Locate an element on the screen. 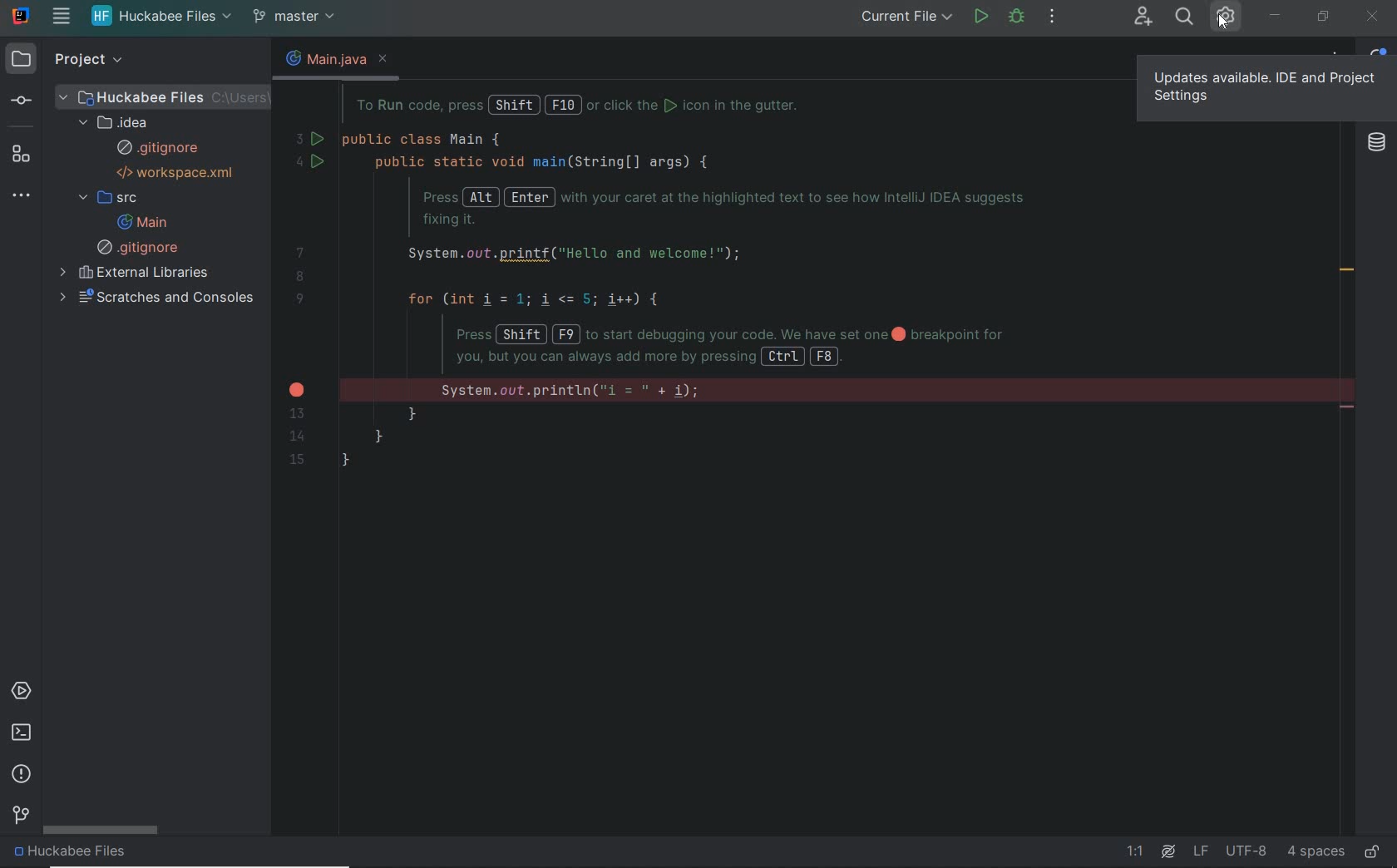 The width and height of the screenshot is (1397, 868). main menu is located at coordinates (61, 18).